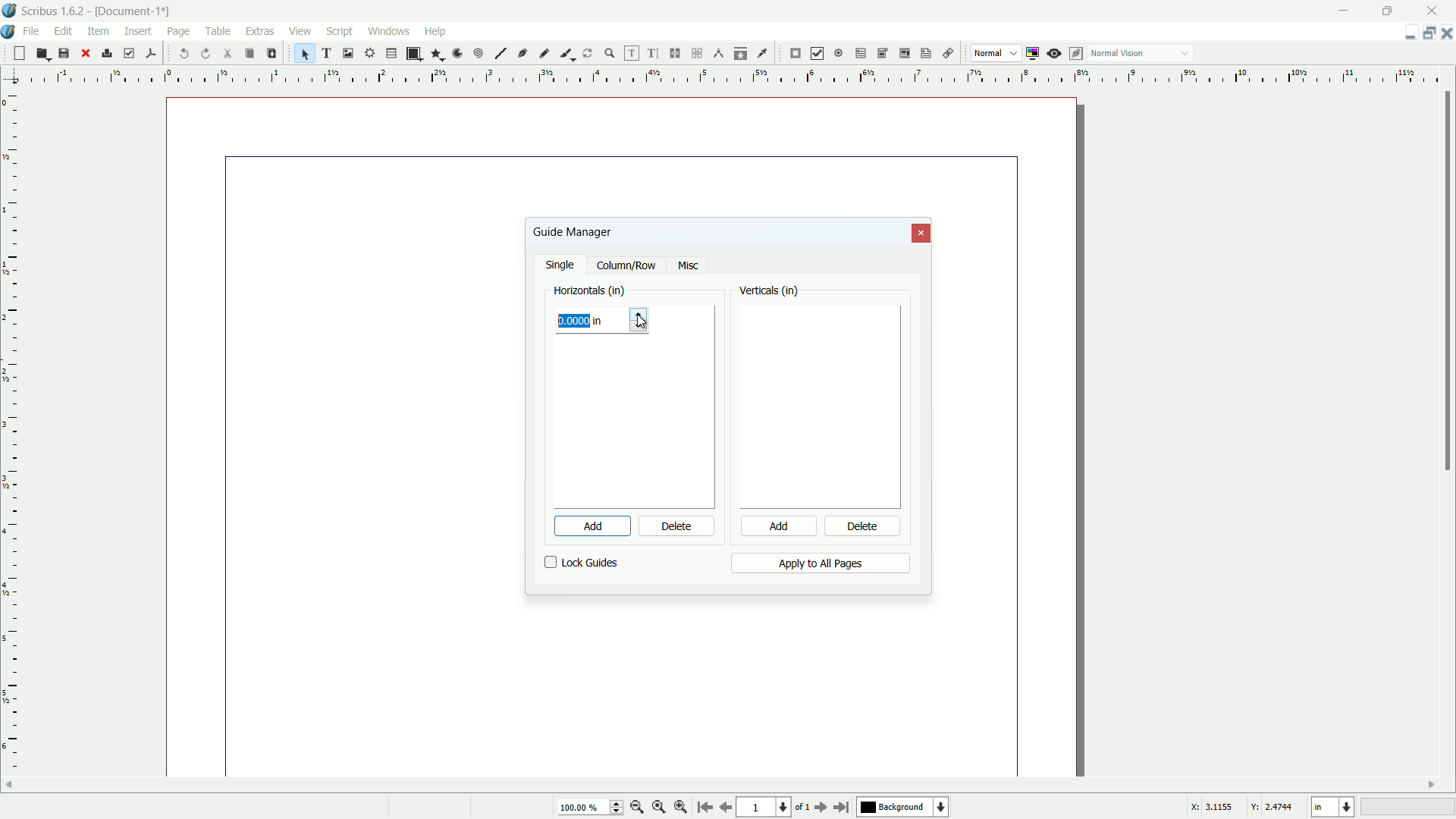  What do you see at coordinates (588, 53) in the screenshot?
I see `rotate item` at bounding box center [588, 53].